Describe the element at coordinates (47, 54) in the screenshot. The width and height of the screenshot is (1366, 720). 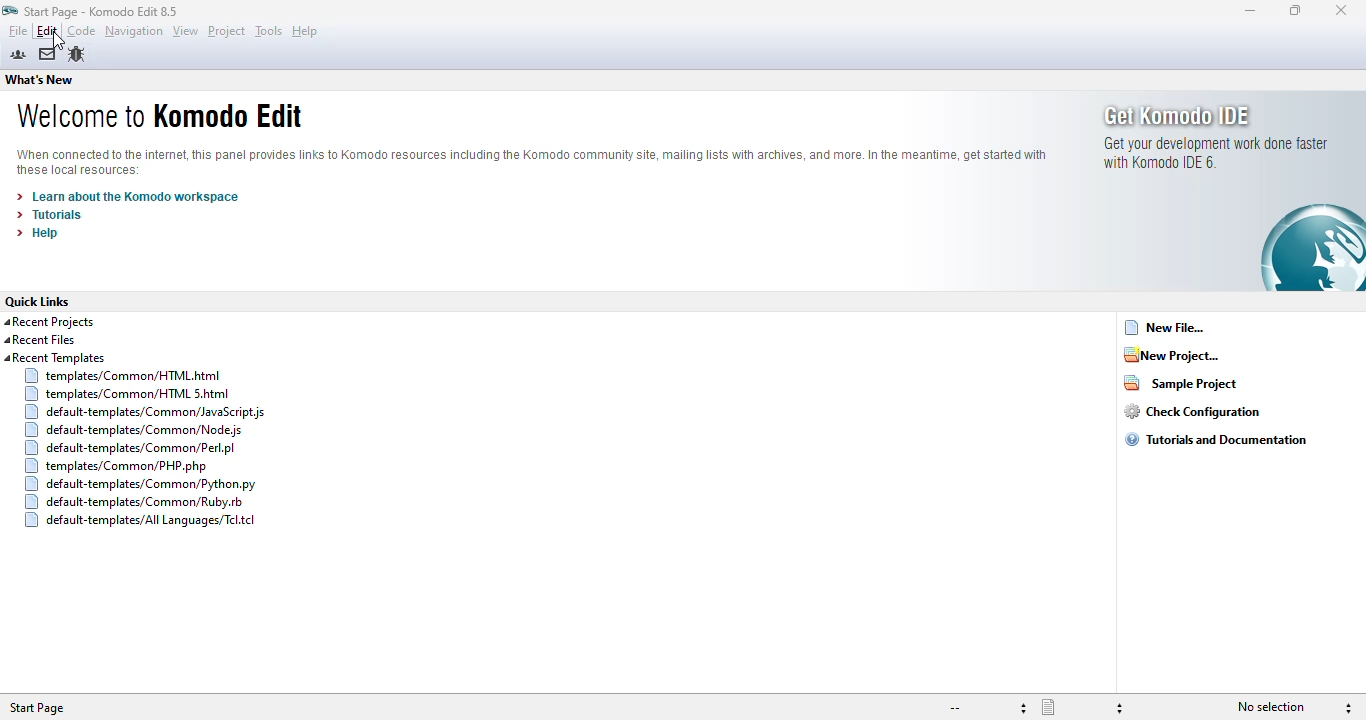
I see `komodo email lists` at that location.